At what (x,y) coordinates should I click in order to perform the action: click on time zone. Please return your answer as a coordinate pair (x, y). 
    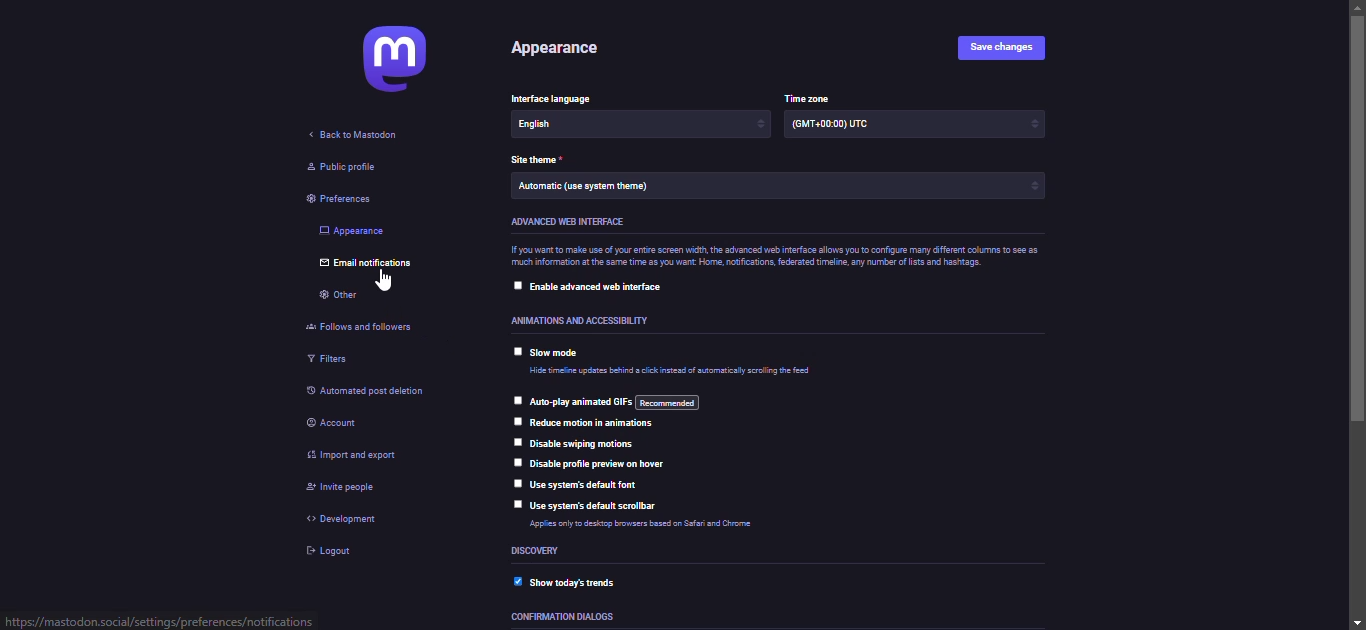
    Looking at the image, I should click on (809, 99).